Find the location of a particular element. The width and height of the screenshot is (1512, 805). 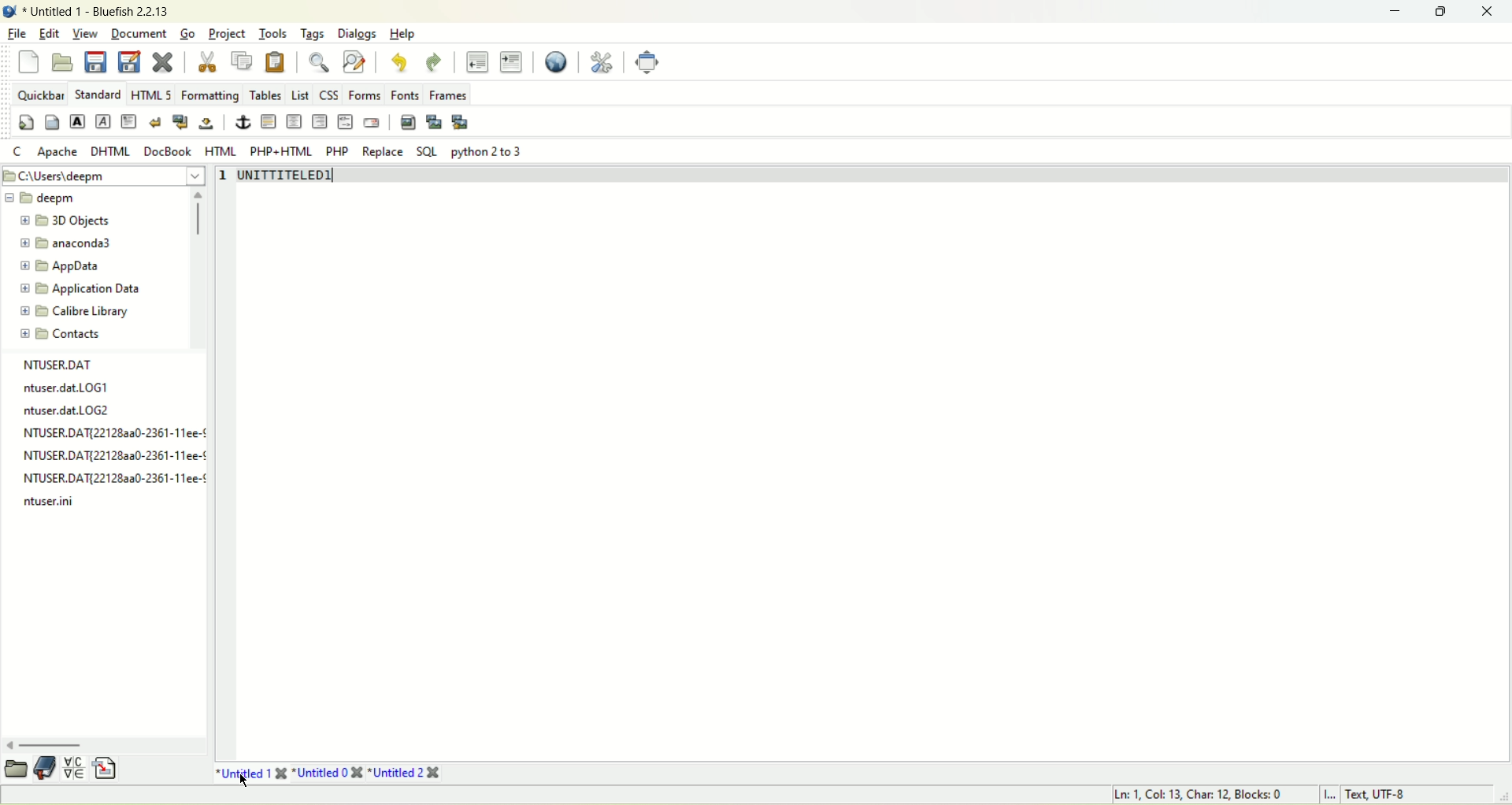

save current file is located at coordinates (95, 64).